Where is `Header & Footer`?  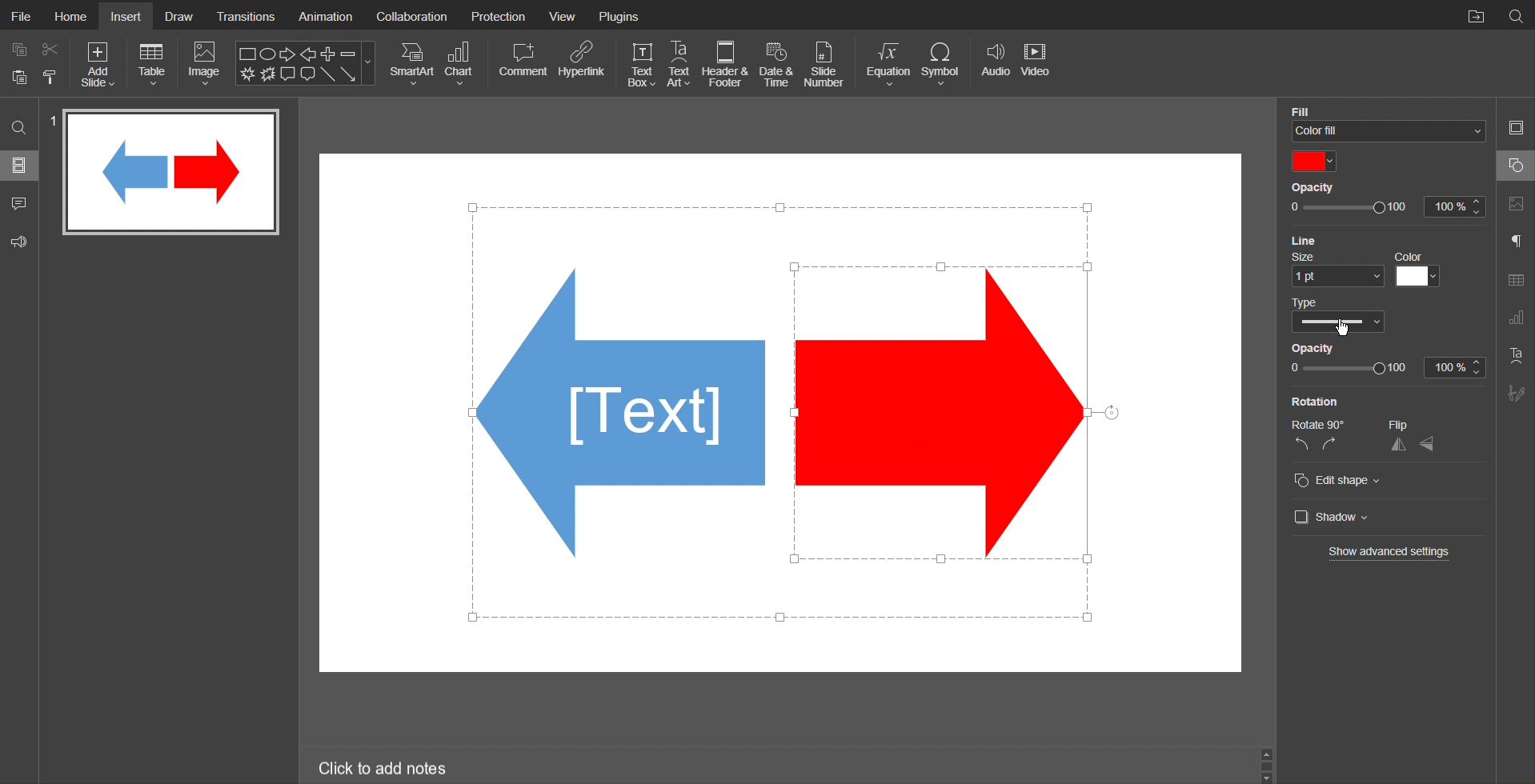
Header & Footer is located at coordinates (727, 64).